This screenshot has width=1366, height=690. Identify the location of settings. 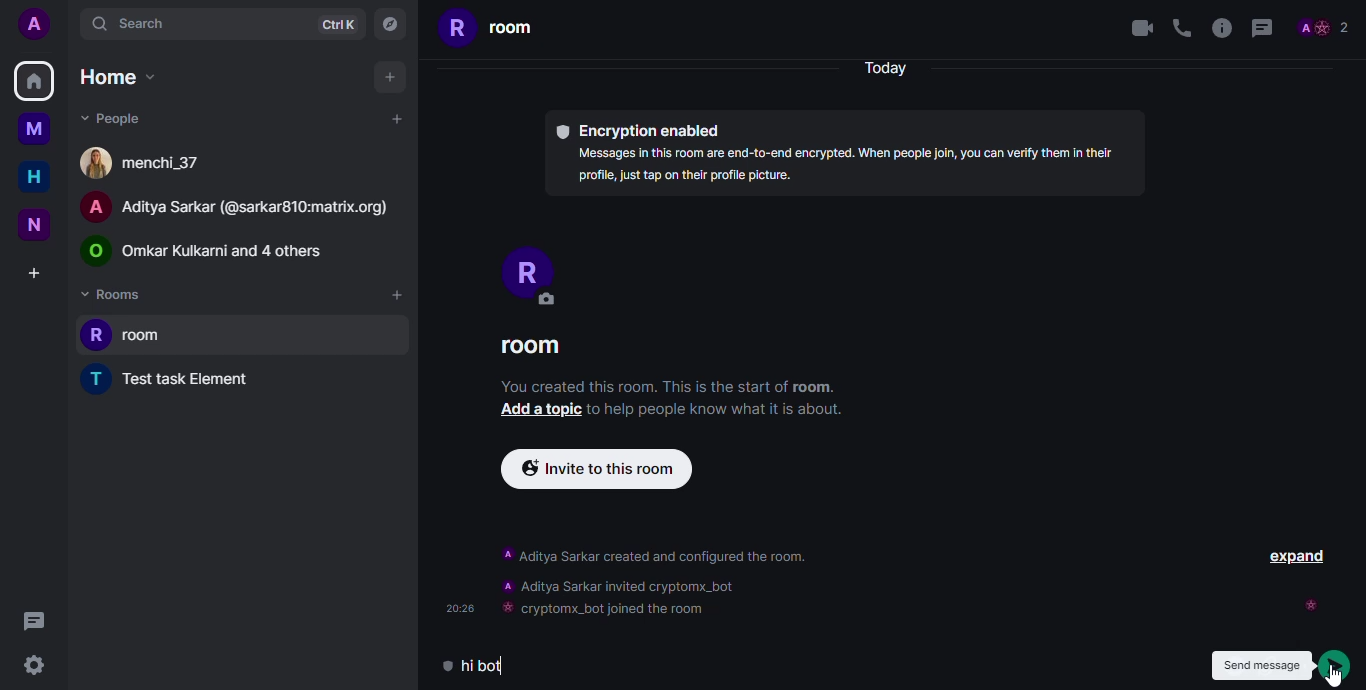
(45, 663).